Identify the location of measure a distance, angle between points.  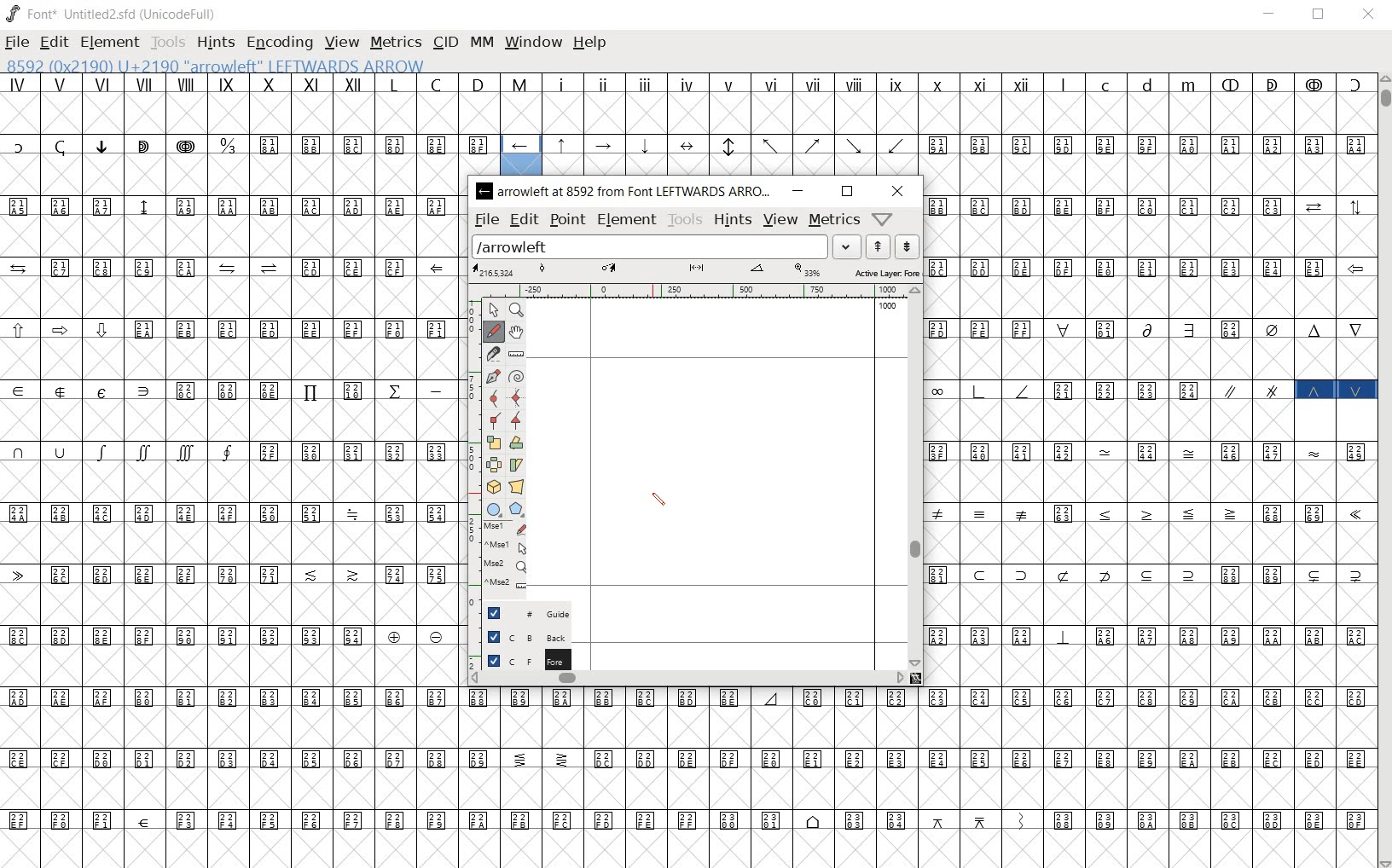
(515, 356).